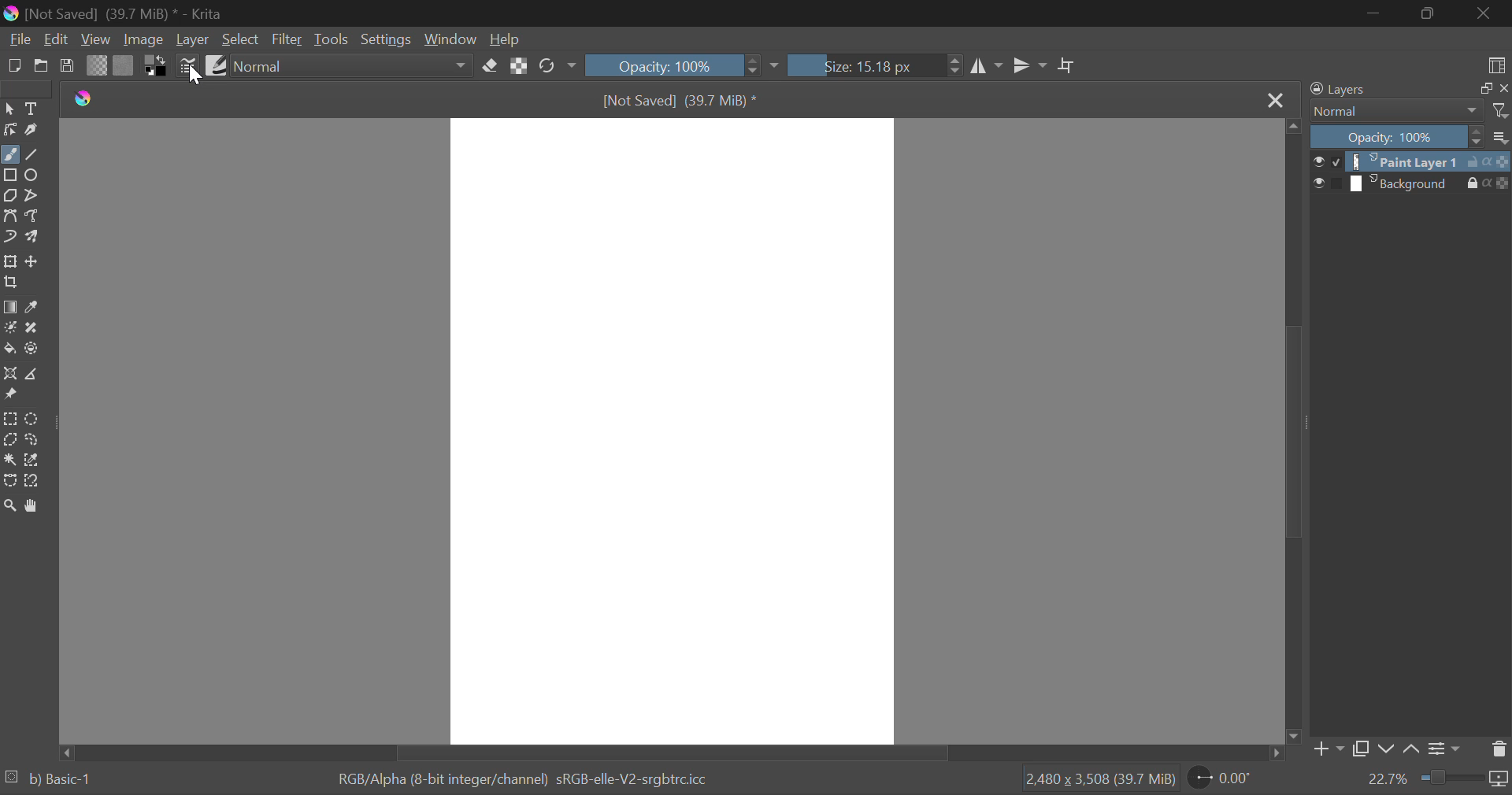  What do you see at coordinates (34, 373) in the screenshot?
I see `Measurement` at bounding box center [34, 373].